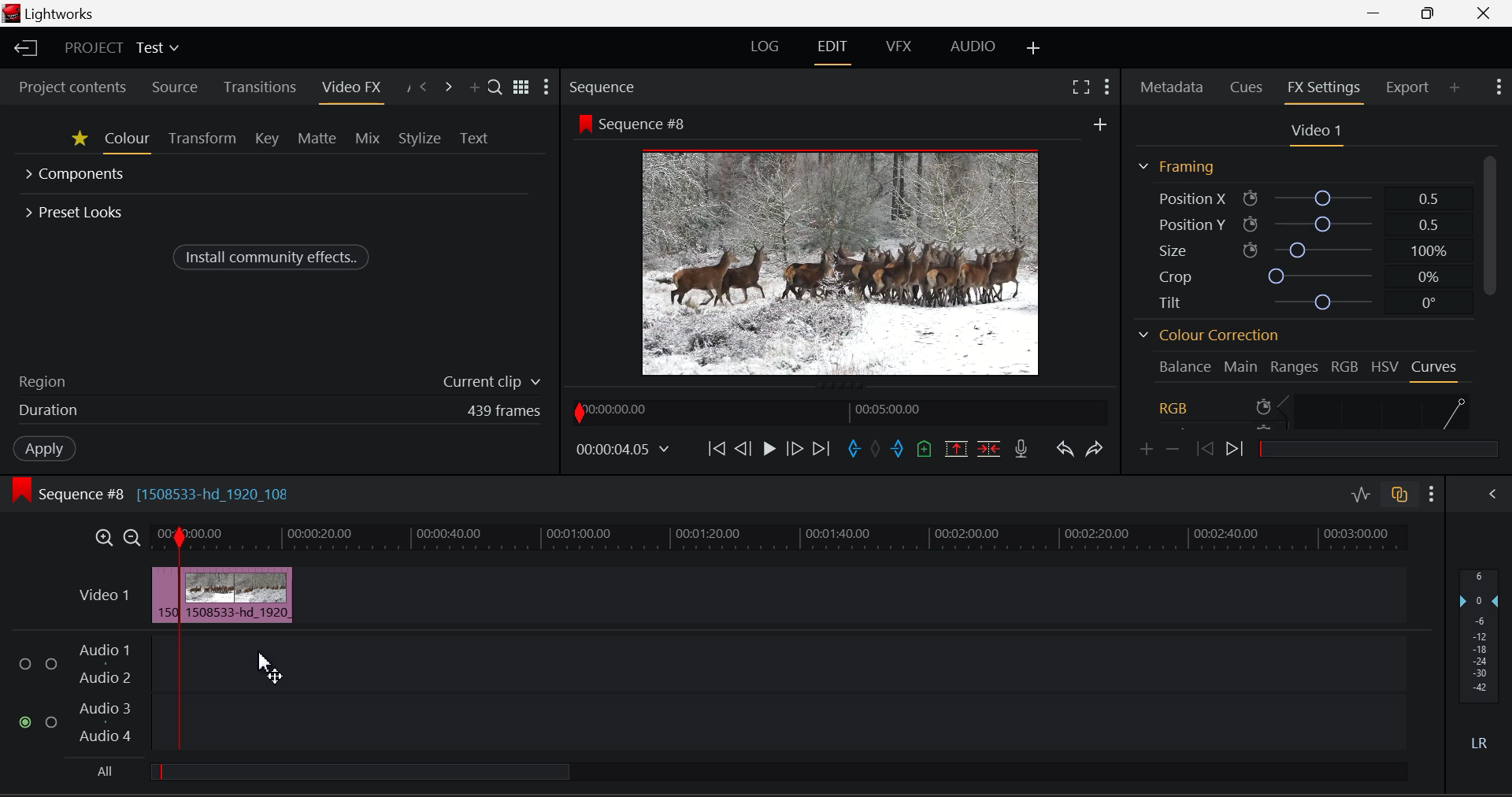 The height and width of the screenshot is (797, 1512). What do you see at coordinates (23, 48) in the screenshot?
I see `Back to Homepage` at bounding box center [23, 48].